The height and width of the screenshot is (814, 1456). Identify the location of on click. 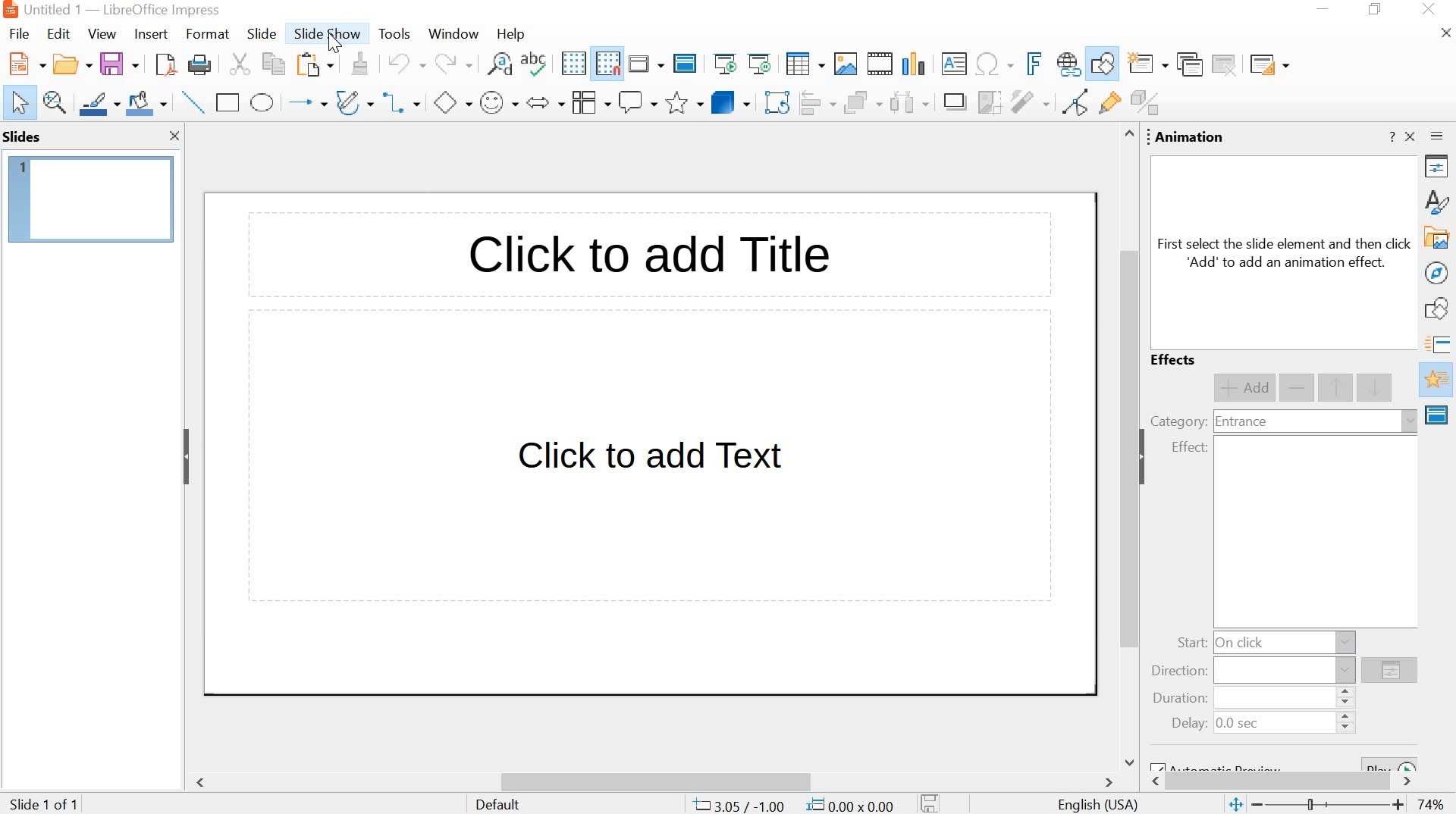
(1243, 642).